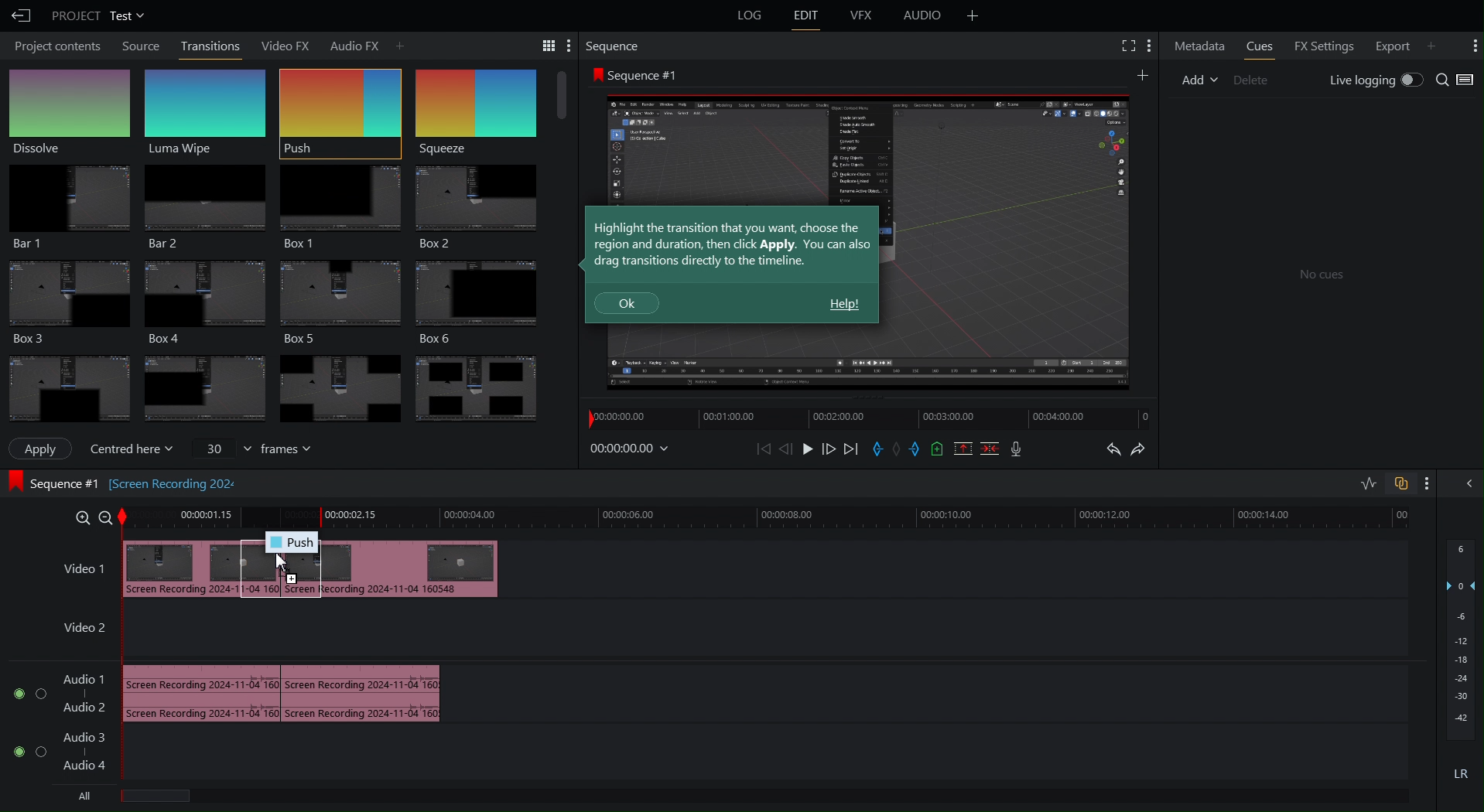  What do you see at coordinates (55, 47) in the screenshot?
I see `Project Contents` at bounding box center [55, 47].